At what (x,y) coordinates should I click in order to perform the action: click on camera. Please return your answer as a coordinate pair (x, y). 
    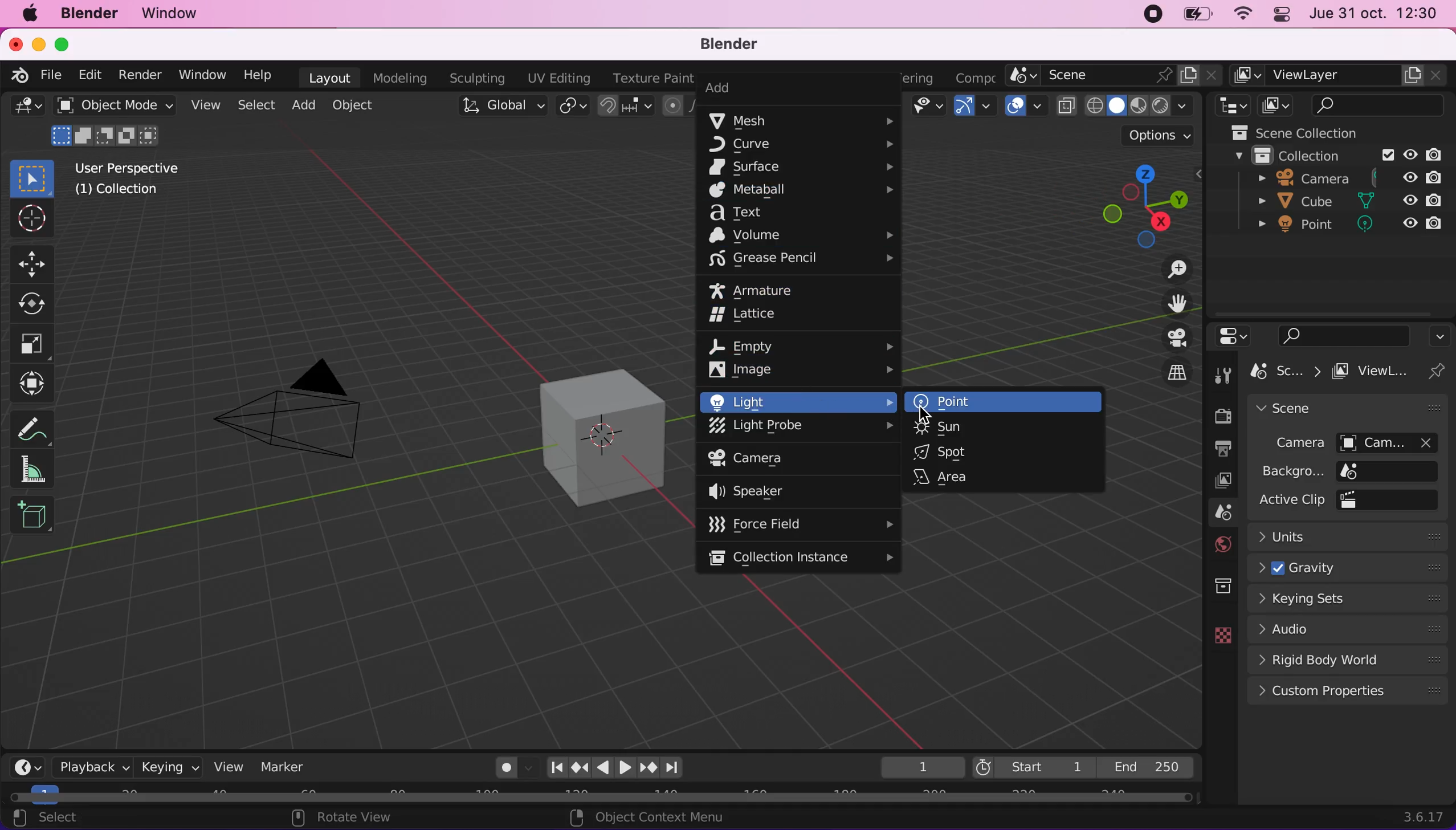
    Looking at the image, I should click on (1396, 442).